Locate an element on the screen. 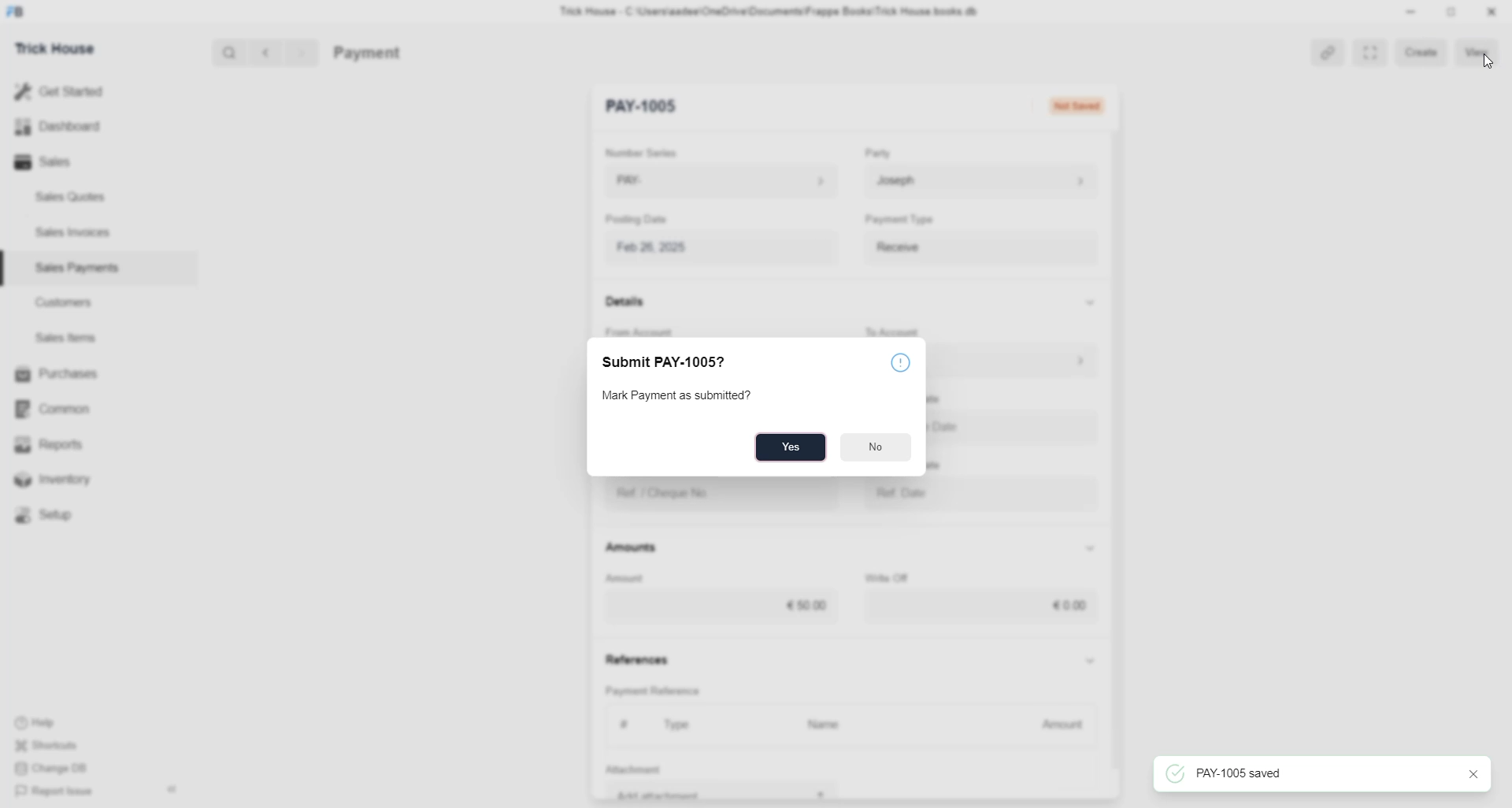 The width and height of the screenshot is (1512, 808). Not Submitted is located at coordinates (1069, 106).